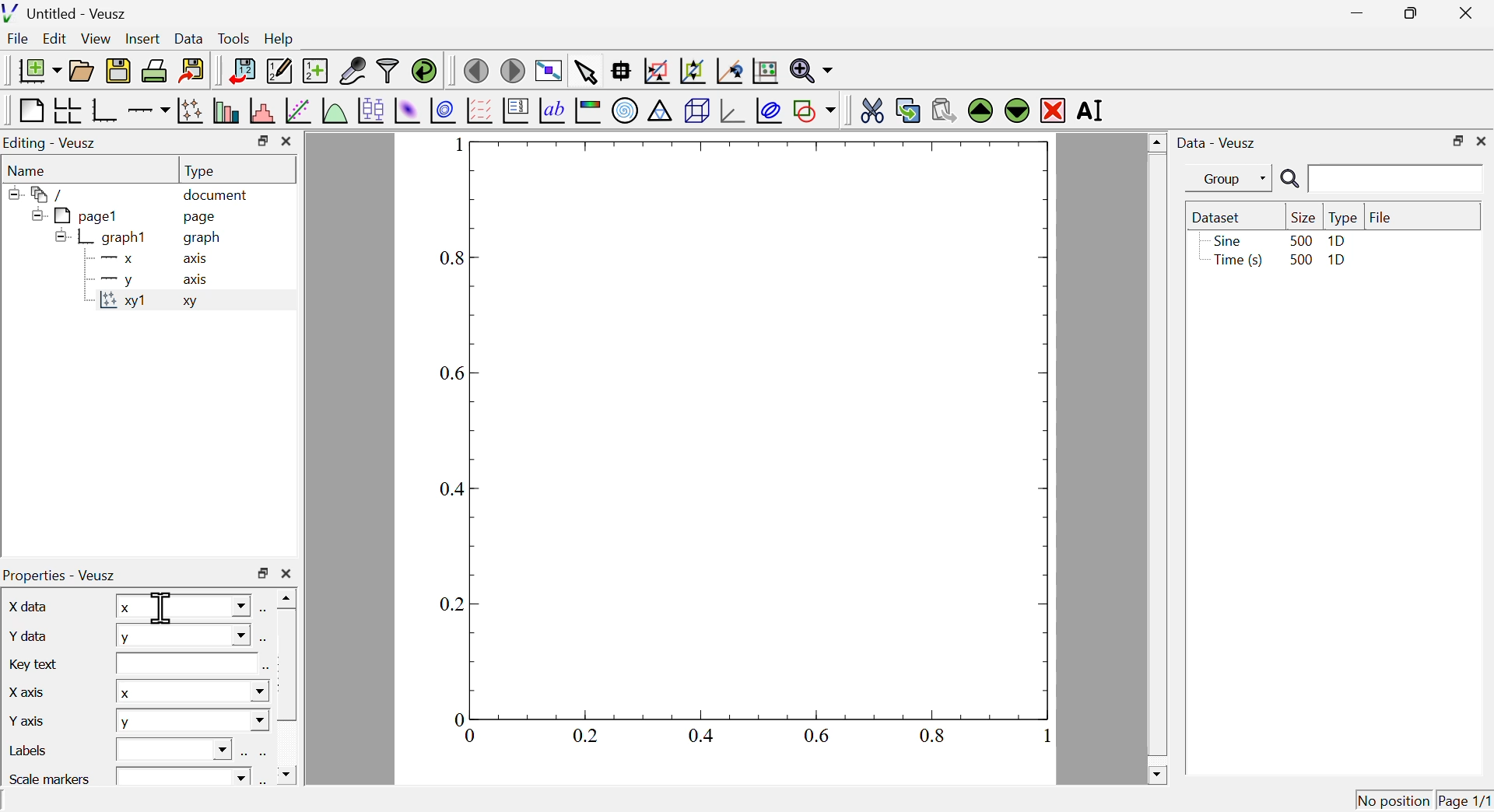 Image resolution: width=1494 pixels, height=812 pixels. I want to click on move to the previous page, so click(475, 69).